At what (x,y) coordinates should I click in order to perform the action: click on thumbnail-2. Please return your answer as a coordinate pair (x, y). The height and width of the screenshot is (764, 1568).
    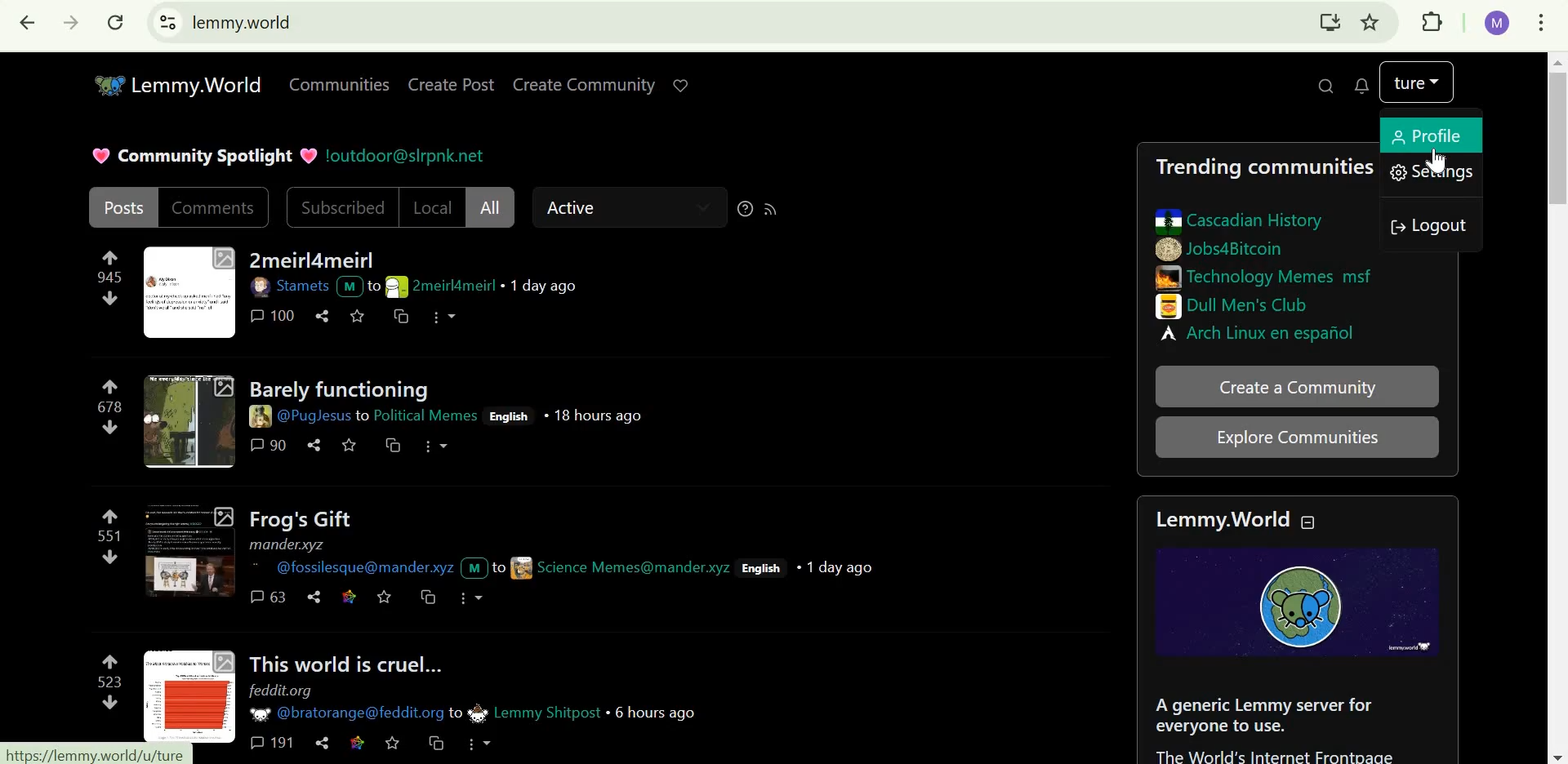
    Looking at the image, I should click on (189, 421).